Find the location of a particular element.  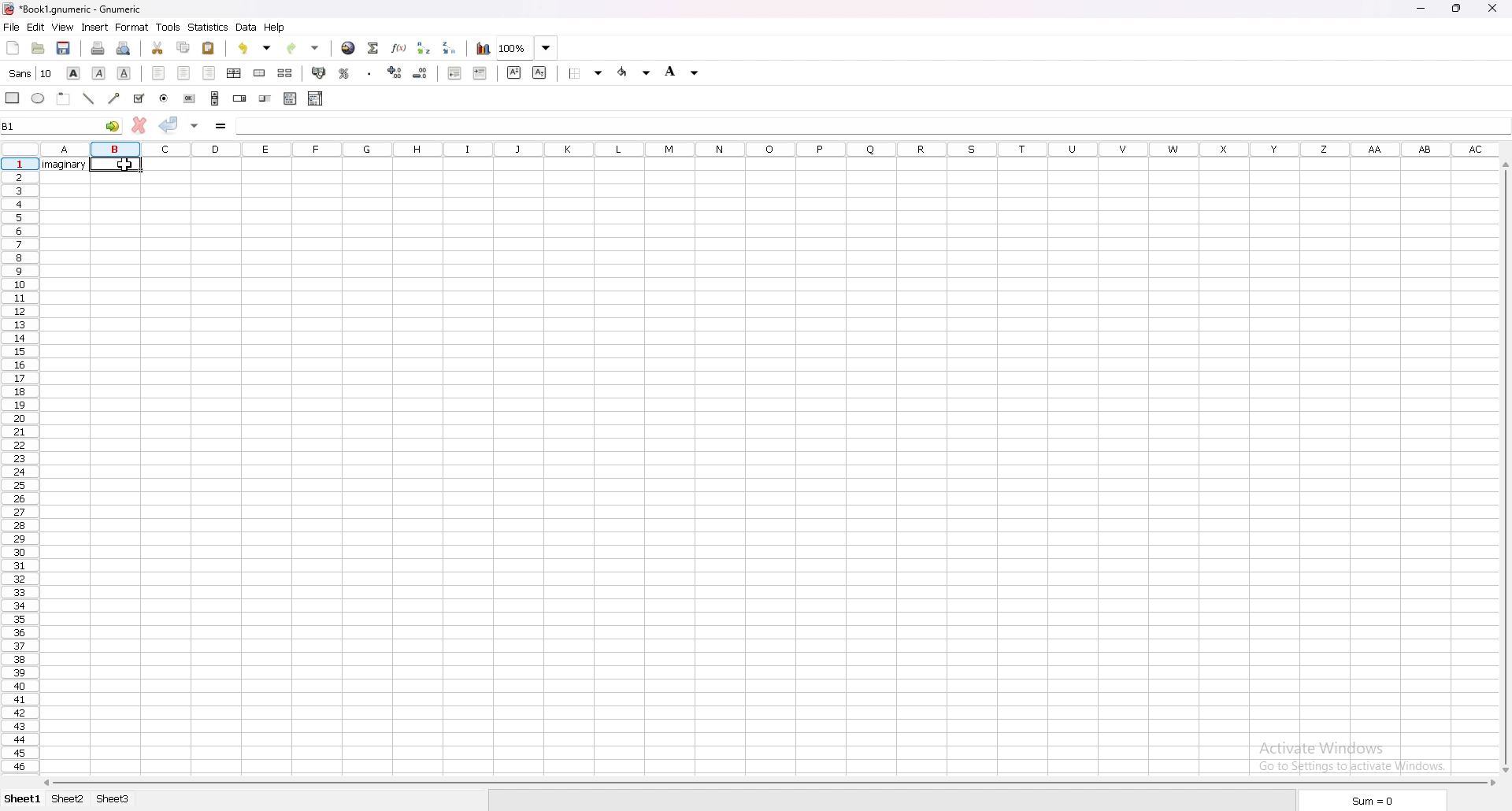

tickbox is located at coordinates (139, 98).